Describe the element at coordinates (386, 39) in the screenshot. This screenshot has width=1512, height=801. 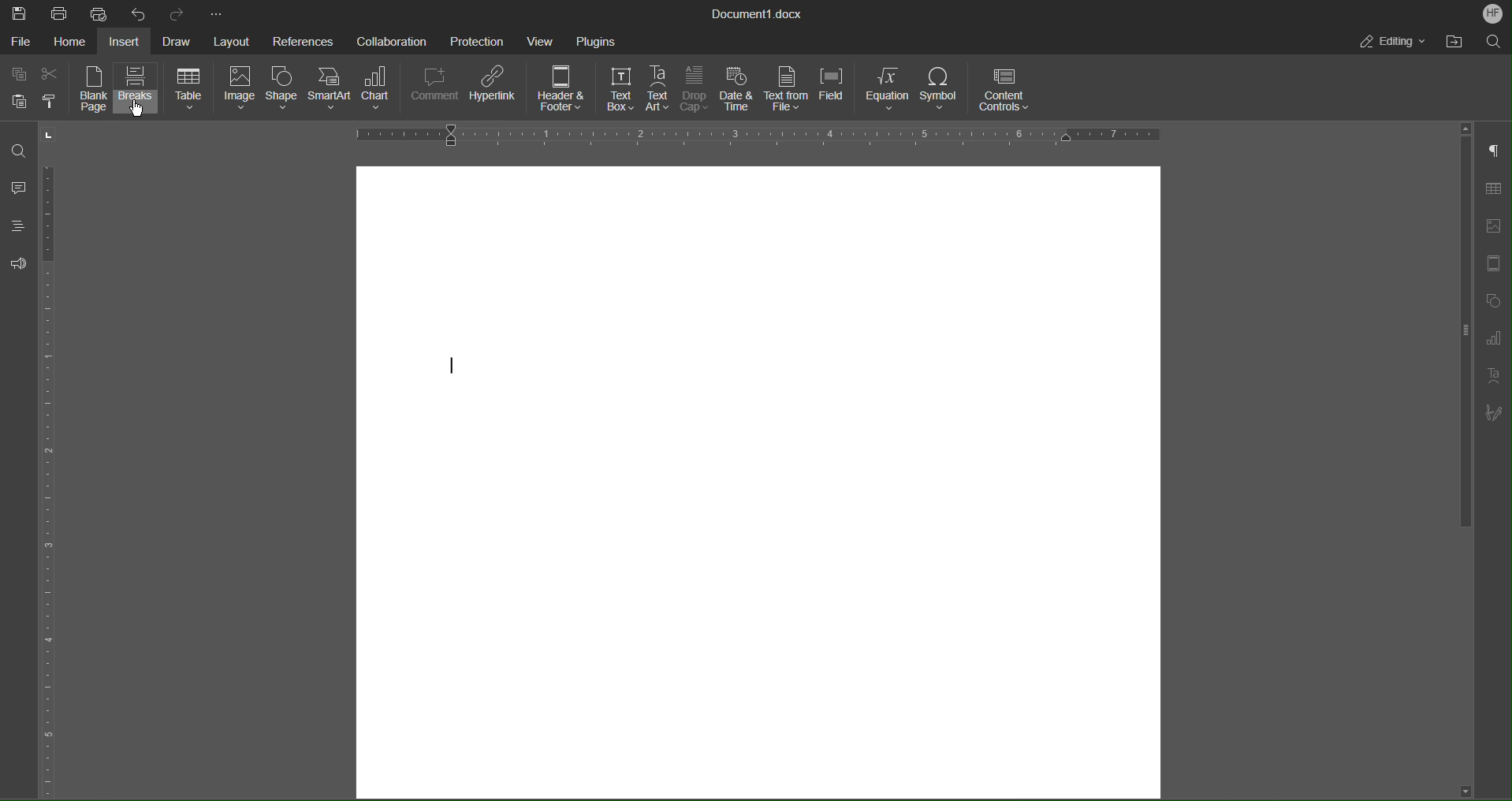
I see `Collaboration` at that location.